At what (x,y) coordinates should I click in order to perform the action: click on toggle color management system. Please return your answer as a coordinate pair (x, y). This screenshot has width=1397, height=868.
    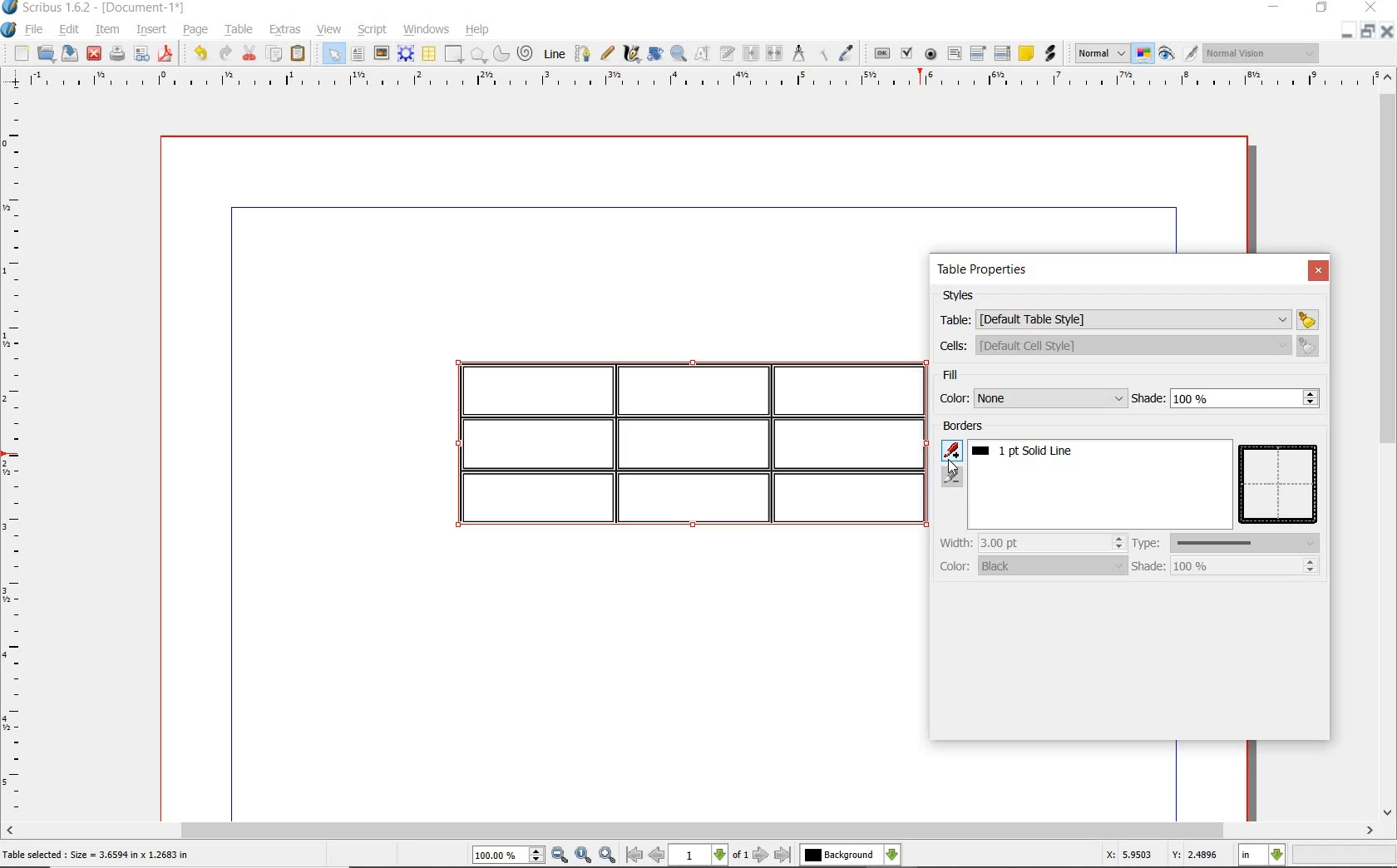
    Looking at the image, I should click on (1140, 52).